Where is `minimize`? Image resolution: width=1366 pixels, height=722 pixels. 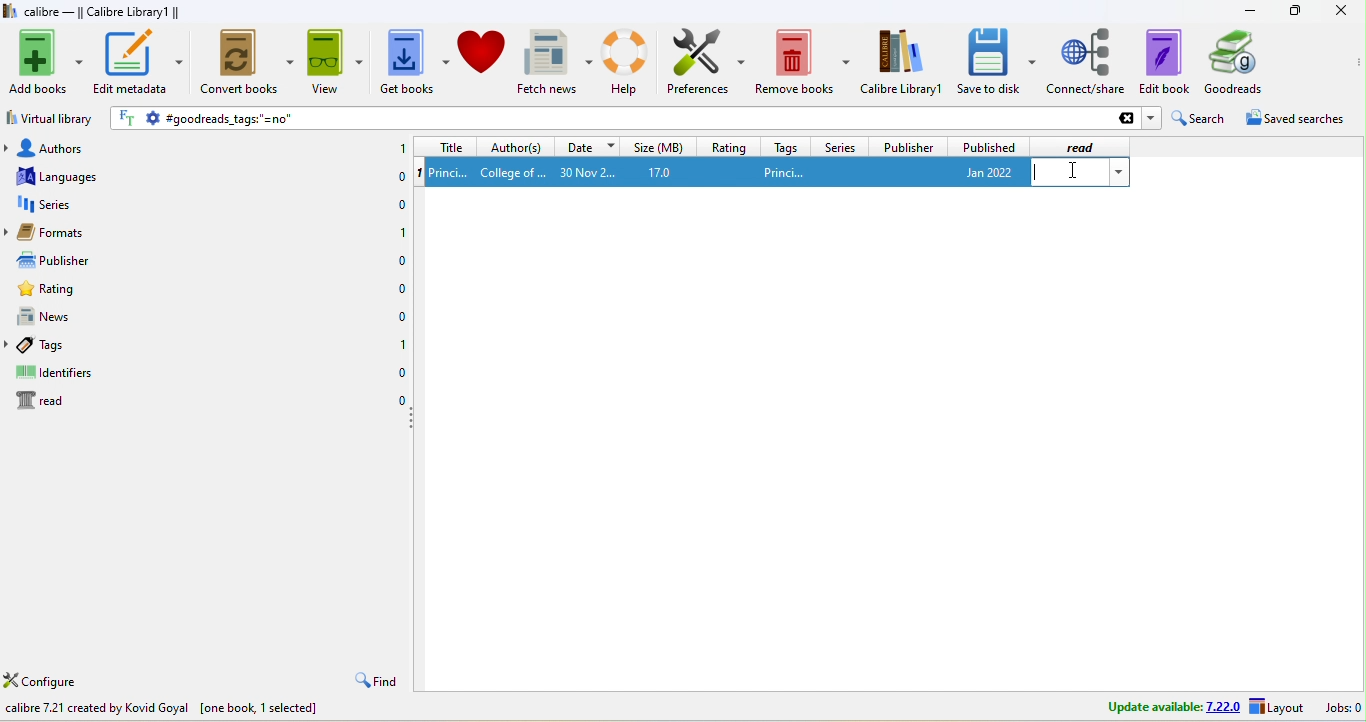
minimize is located at coordinates (1248, 11).